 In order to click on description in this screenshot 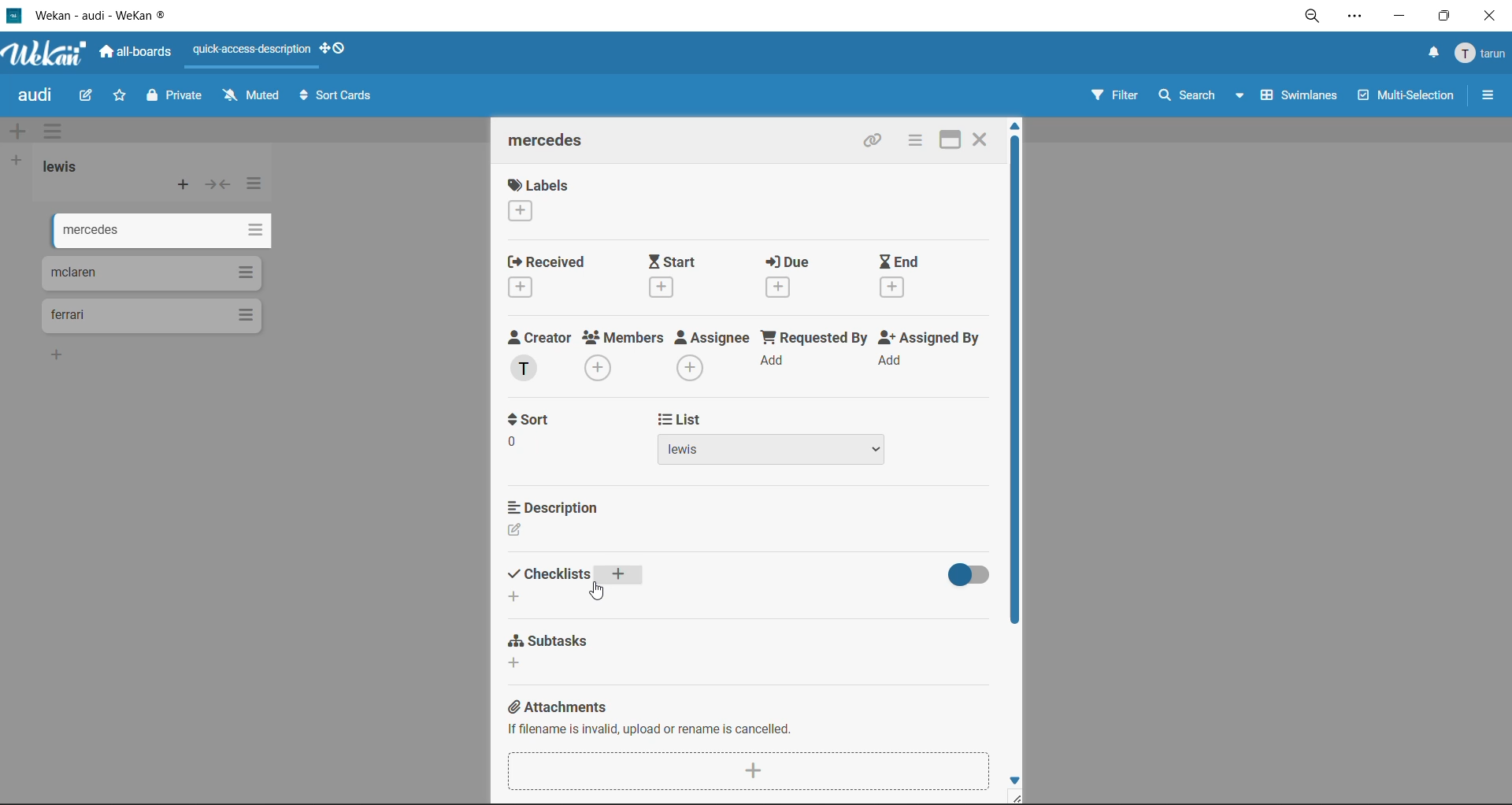, I will do `click(554, 505)`.